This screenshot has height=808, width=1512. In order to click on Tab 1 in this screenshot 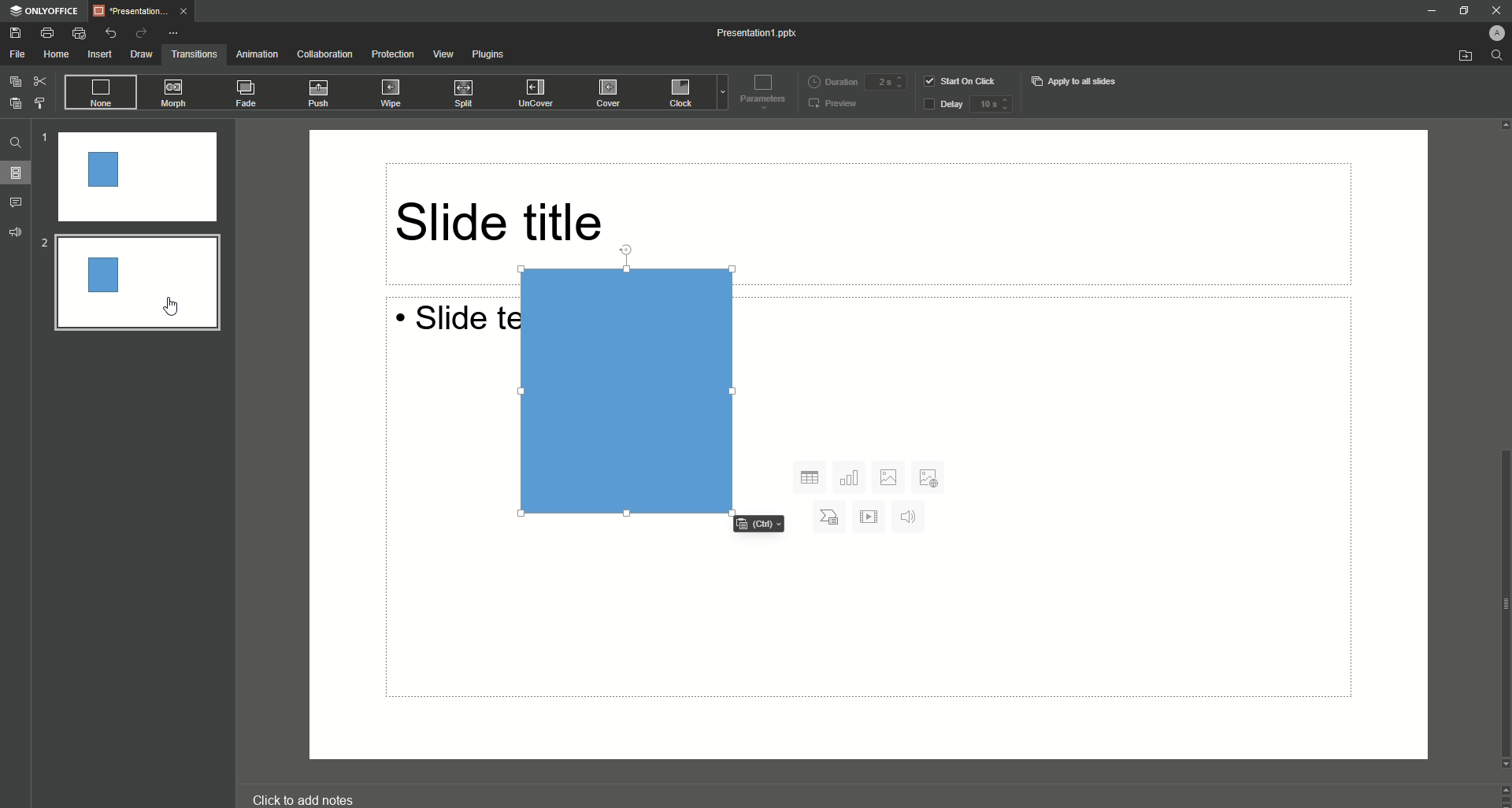, I will do `click(144, 11)`.